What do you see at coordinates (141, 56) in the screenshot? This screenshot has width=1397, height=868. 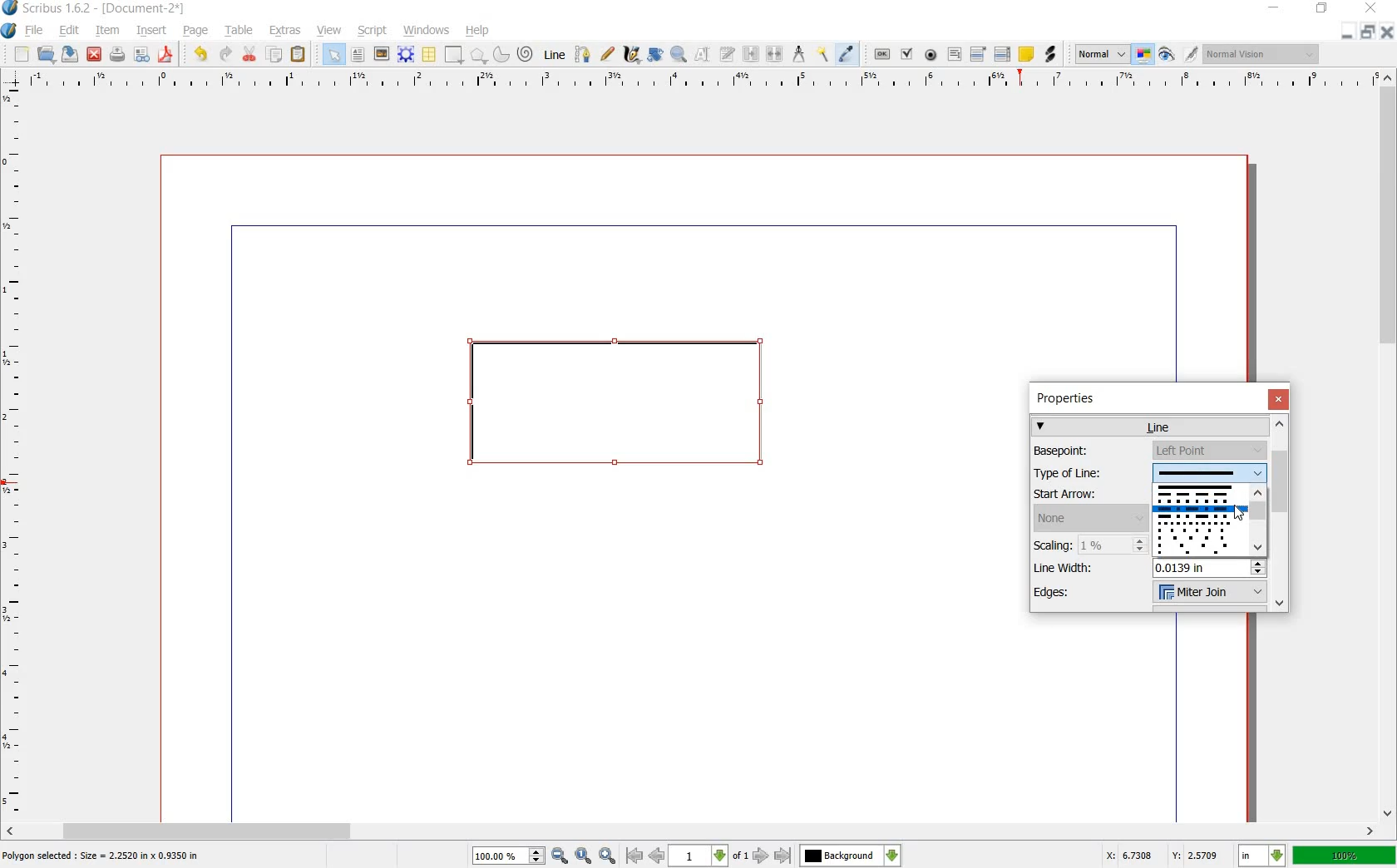 I see `PRFELIGHT VERIFIER` at bounding box center [141, 56].